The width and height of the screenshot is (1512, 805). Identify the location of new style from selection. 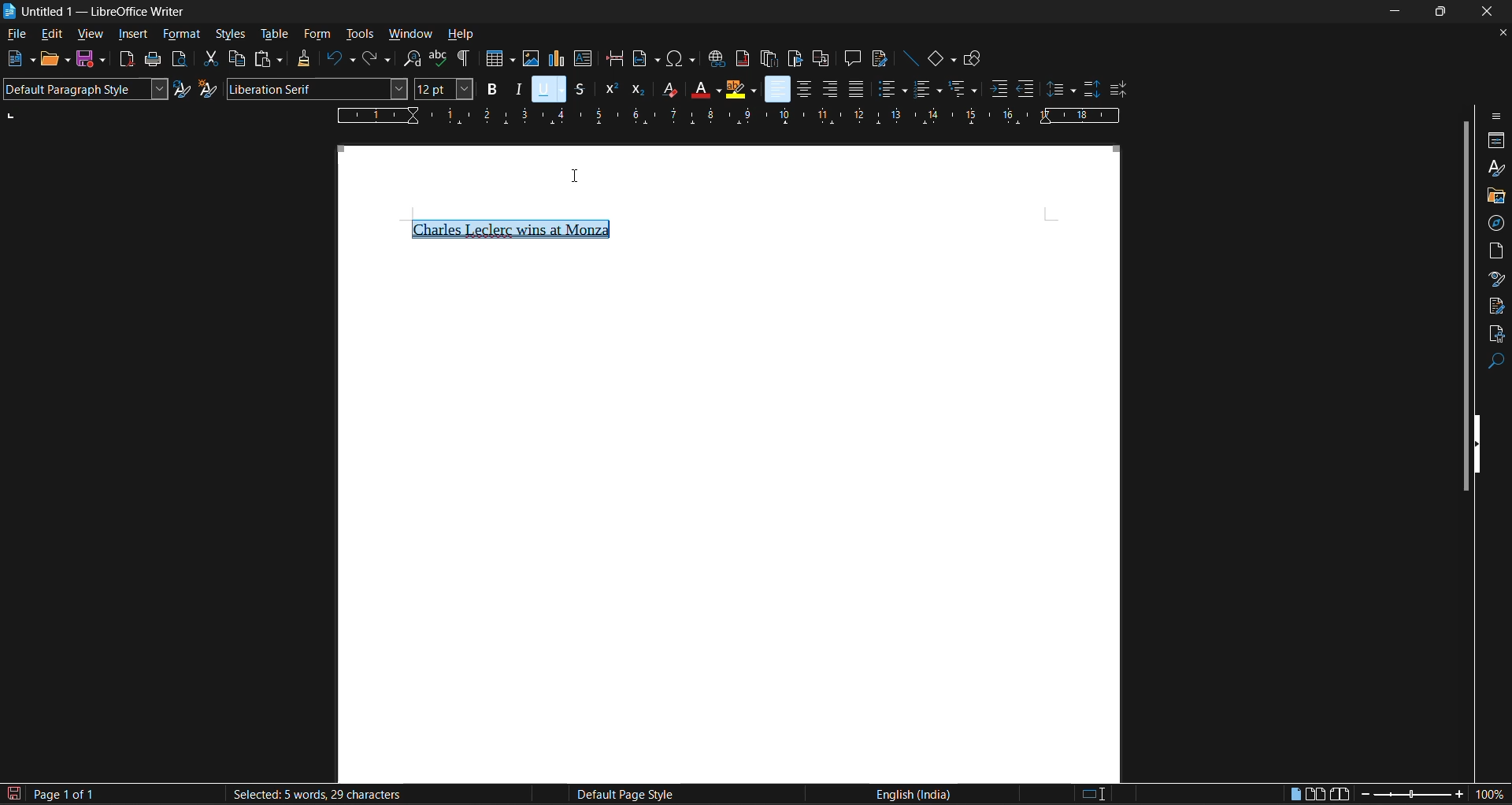
(208, 88).